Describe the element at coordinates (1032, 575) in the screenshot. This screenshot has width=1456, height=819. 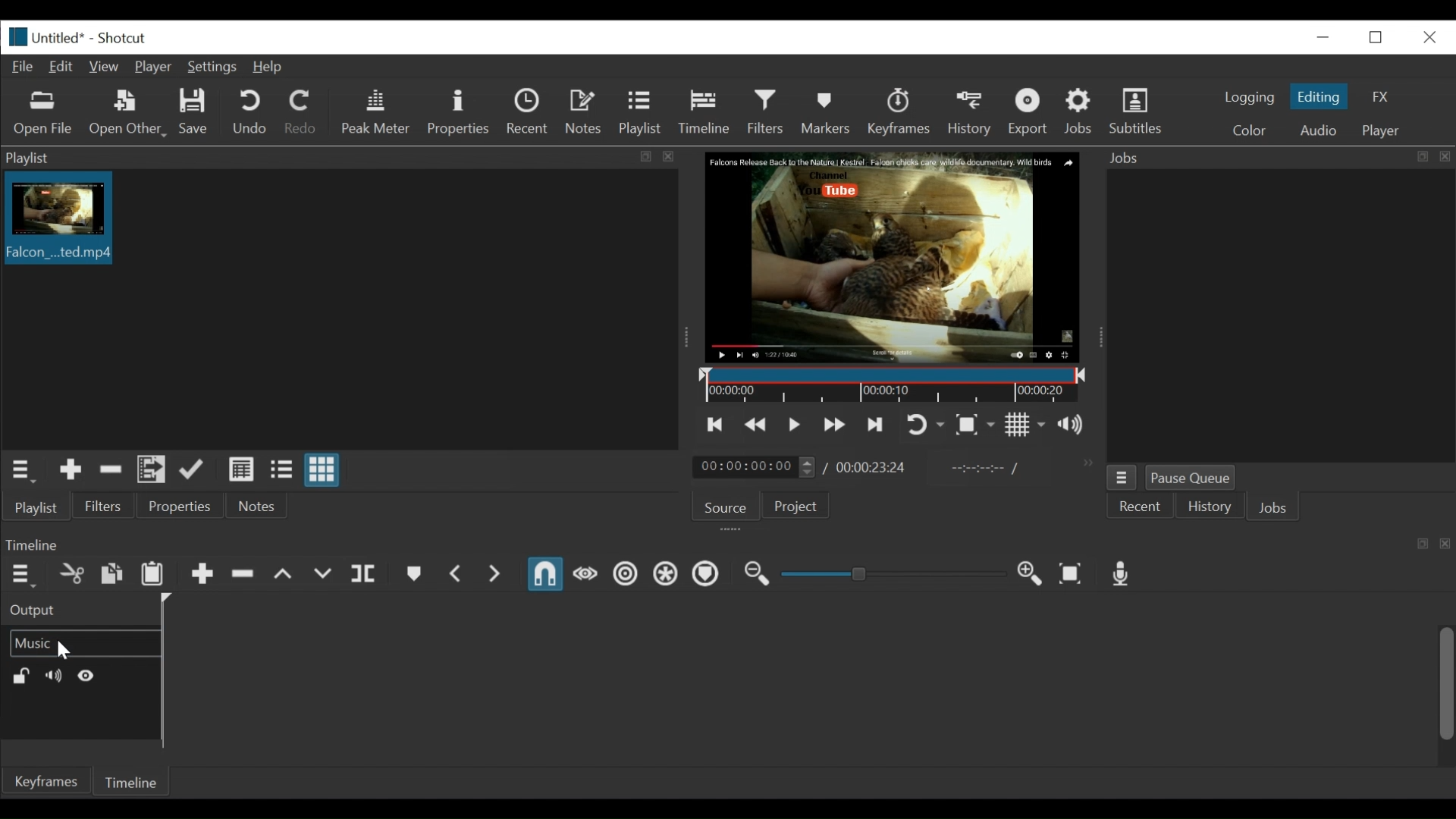
I see `Zoom Timeline in` at that location.